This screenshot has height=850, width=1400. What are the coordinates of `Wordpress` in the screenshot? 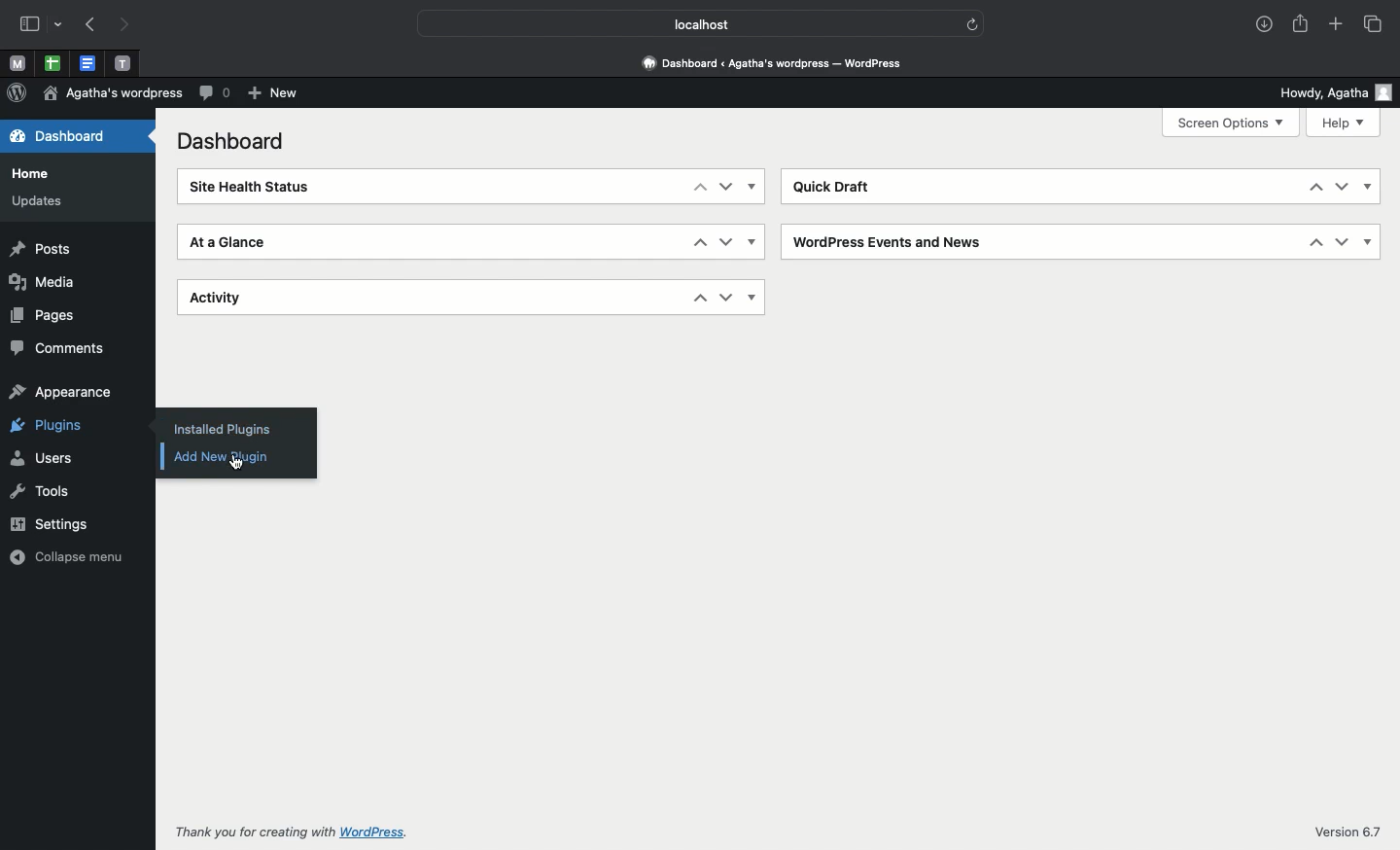 It's located at (17, 94).